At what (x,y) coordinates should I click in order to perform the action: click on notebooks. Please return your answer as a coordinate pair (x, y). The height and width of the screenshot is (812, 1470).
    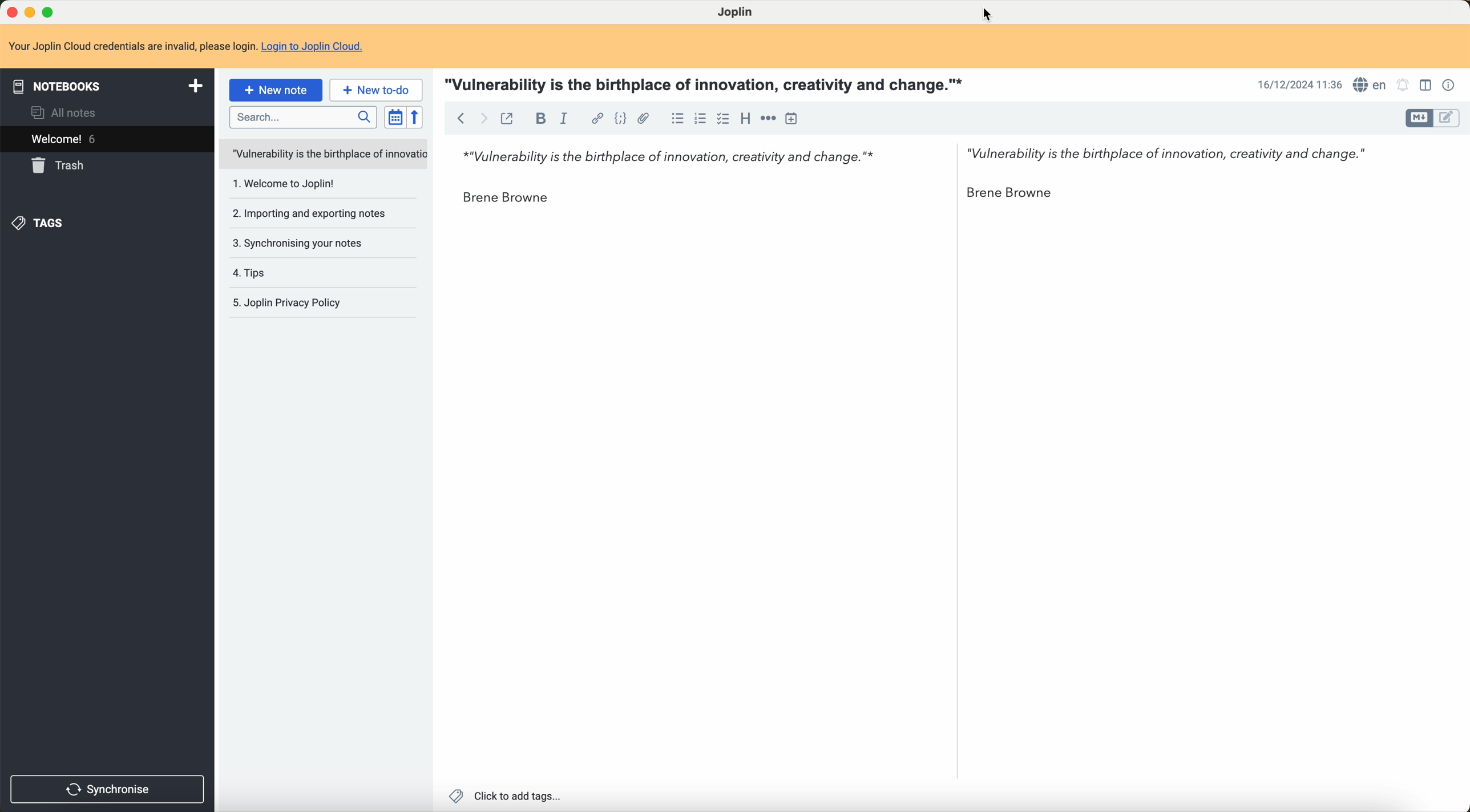
    Looking at the image, I should click on (106, 87).